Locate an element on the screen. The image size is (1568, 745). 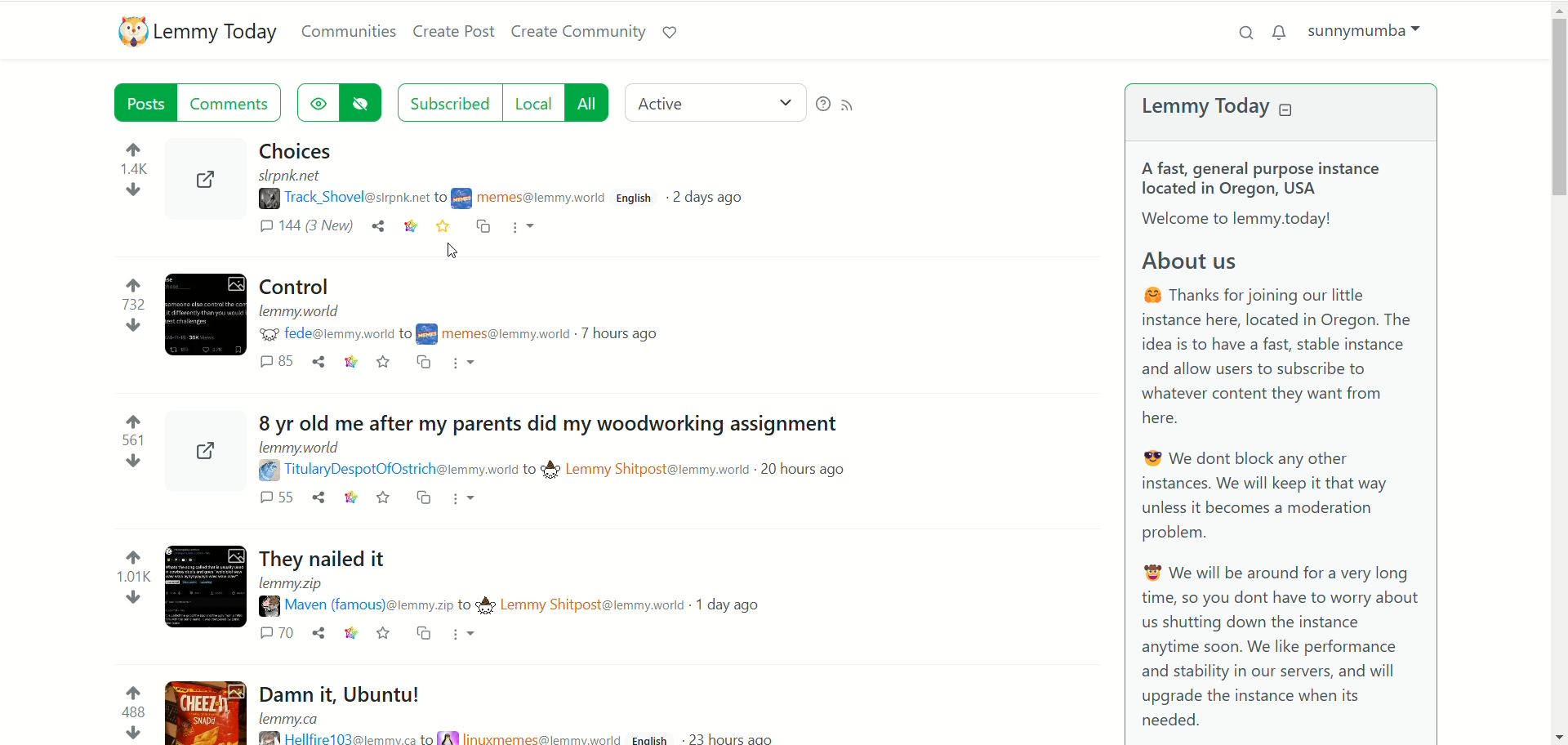
7 hours ago (post date) is located at coordinates (624, 337).